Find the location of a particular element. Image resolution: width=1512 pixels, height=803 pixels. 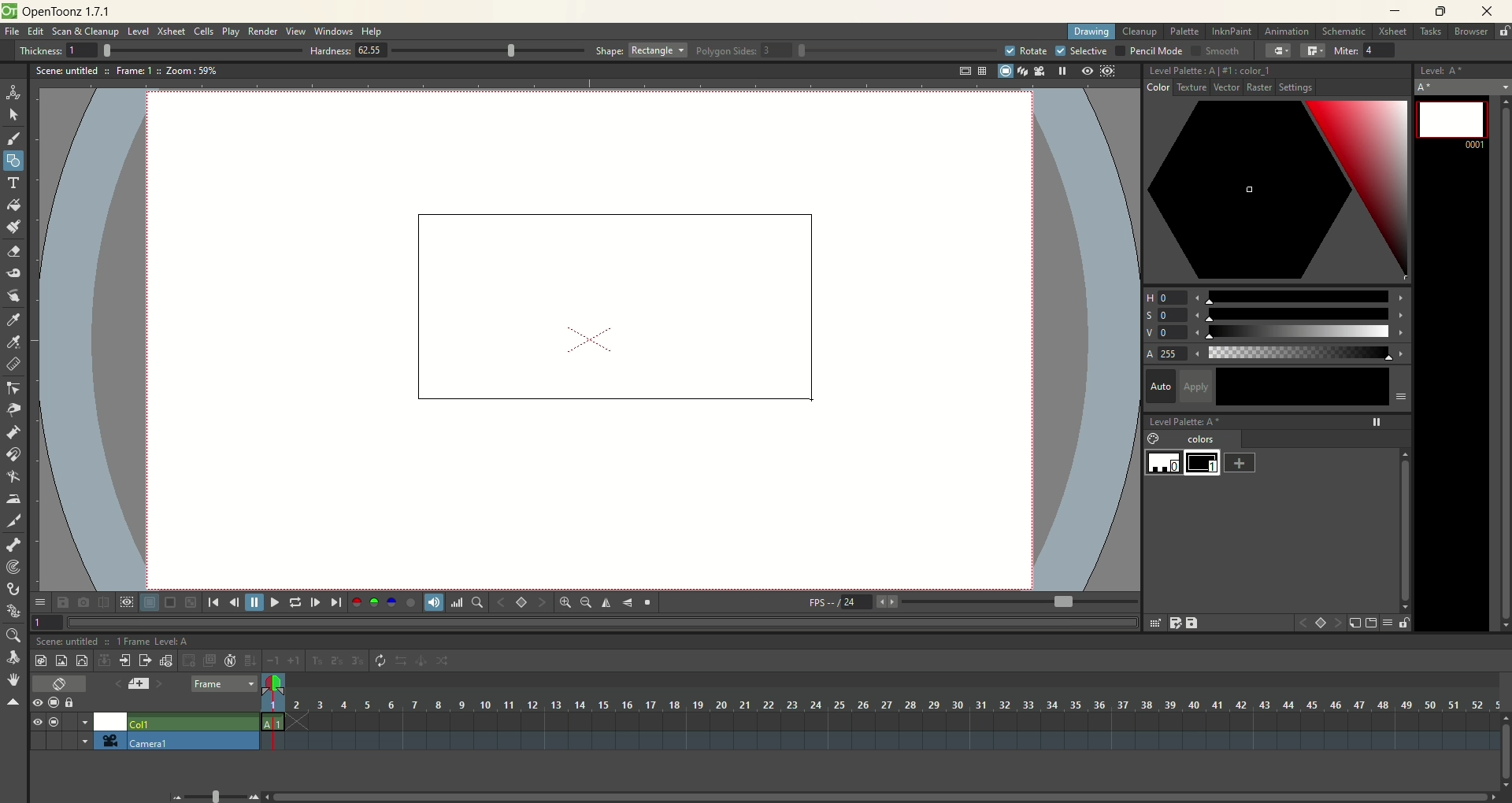

camera1 is located at coordinates (193, 741).